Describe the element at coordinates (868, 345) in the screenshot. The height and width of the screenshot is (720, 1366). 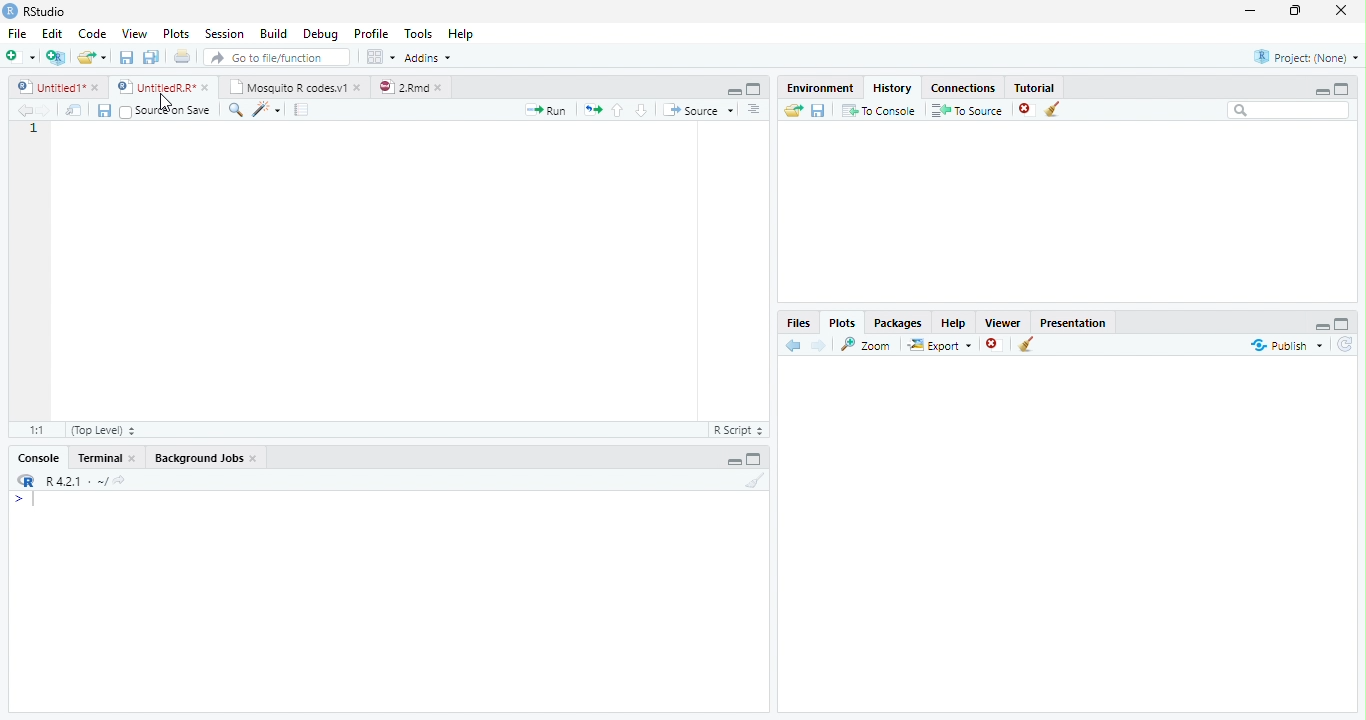
I see `Zoom` at that location.